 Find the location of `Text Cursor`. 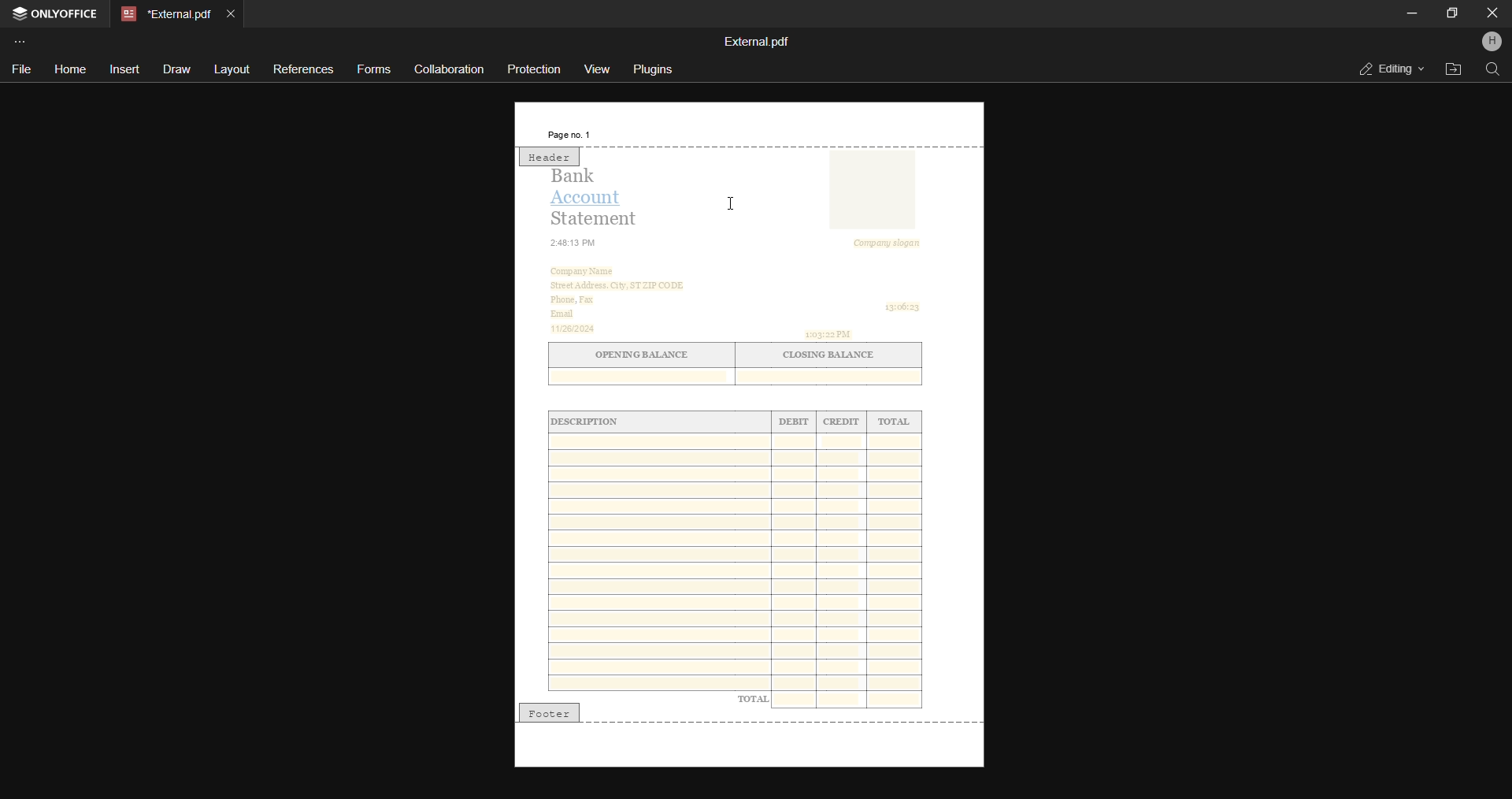

Text Cursor is located at coordinates (739, 208).